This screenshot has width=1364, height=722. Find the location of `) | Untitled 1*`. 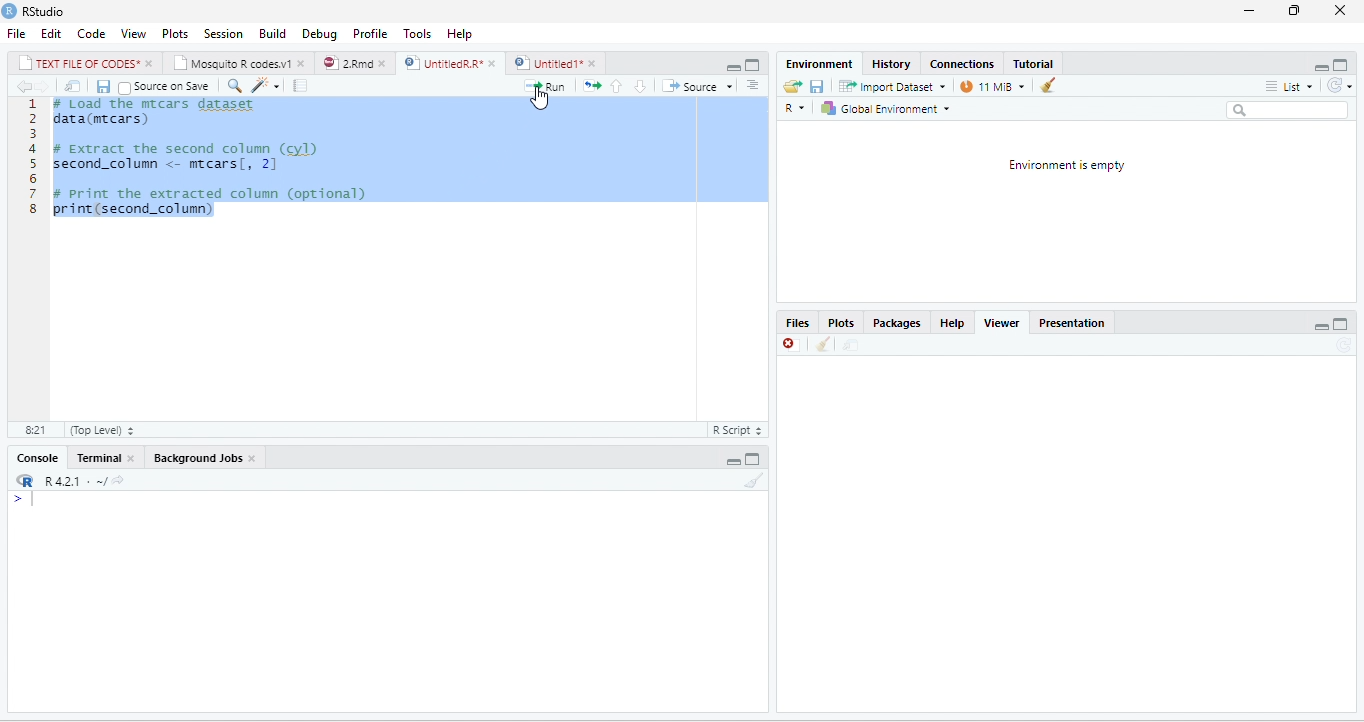

) | Untitled 1* is located at coordinates (547, 63).